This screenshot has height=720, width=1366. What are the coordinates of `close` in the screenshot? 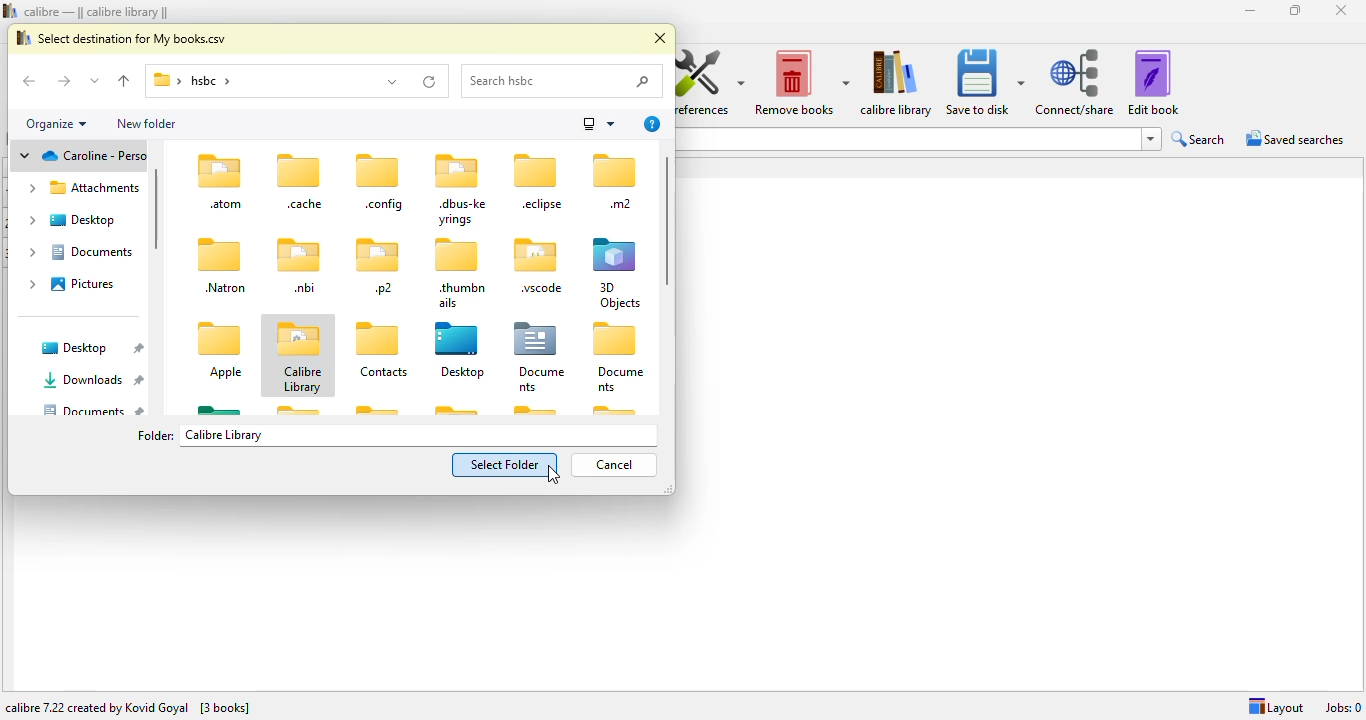 It's located at (660, 39).